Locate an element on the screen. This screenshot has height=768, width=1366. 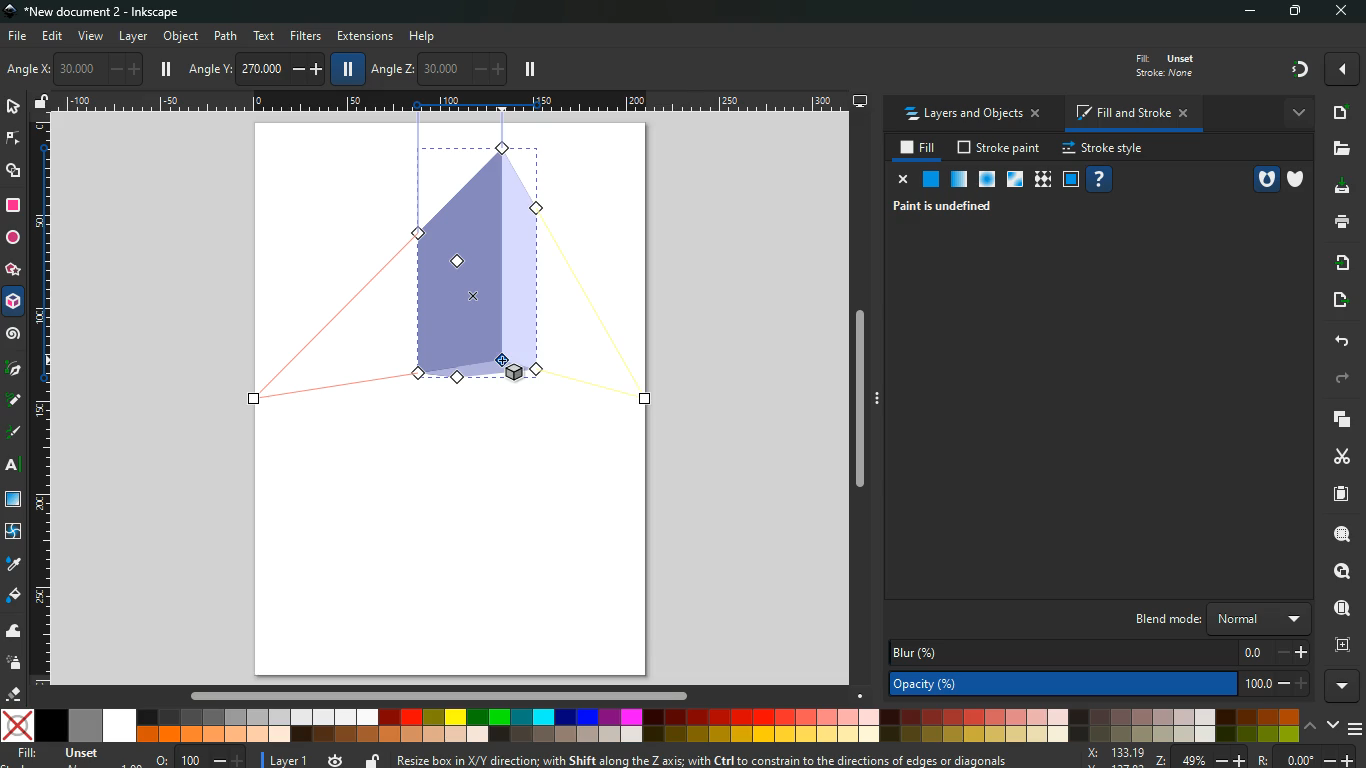
help is located at coordinates (1098, 180).